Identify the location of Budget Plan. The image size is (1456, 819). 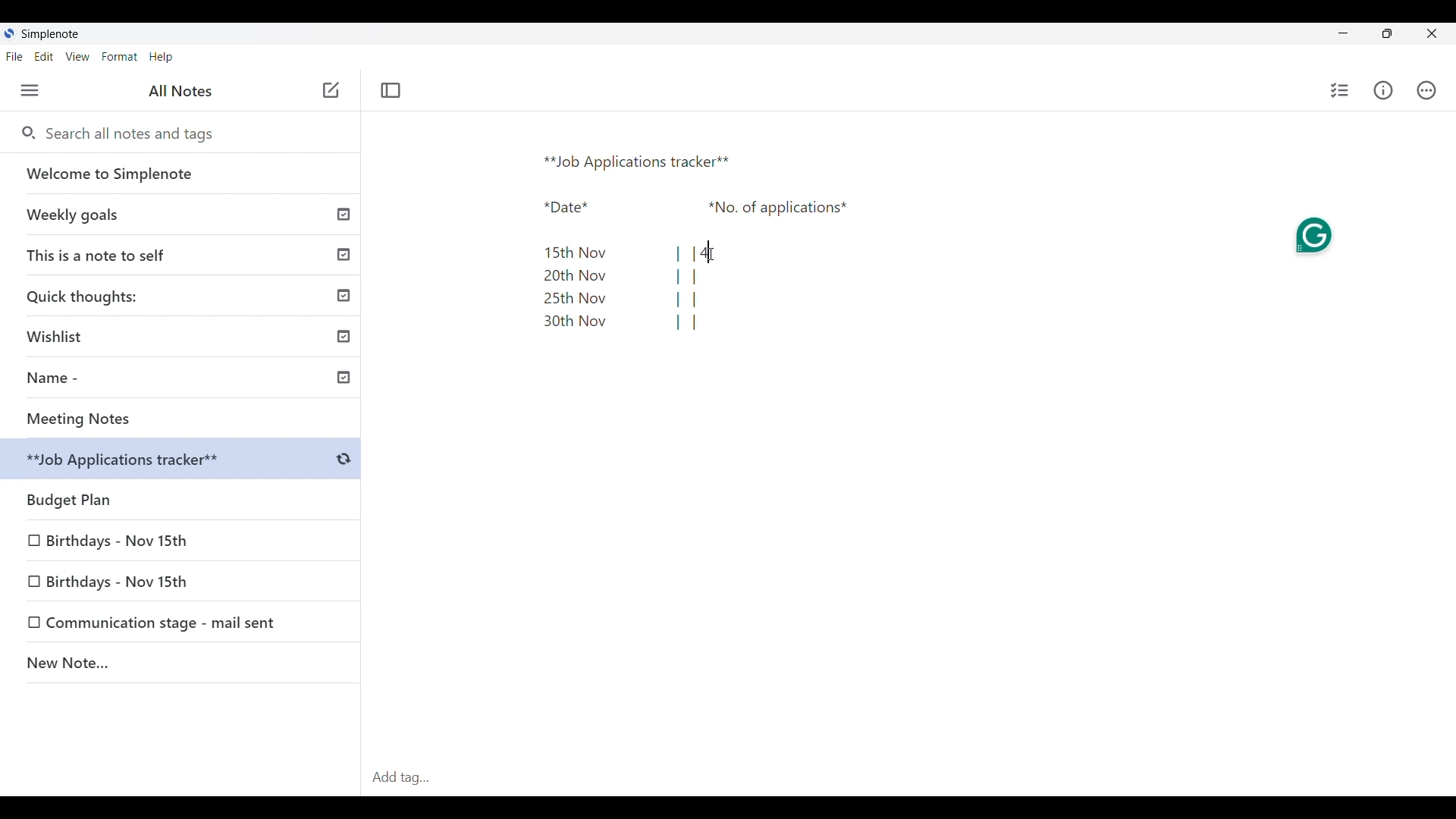
(184, 461).